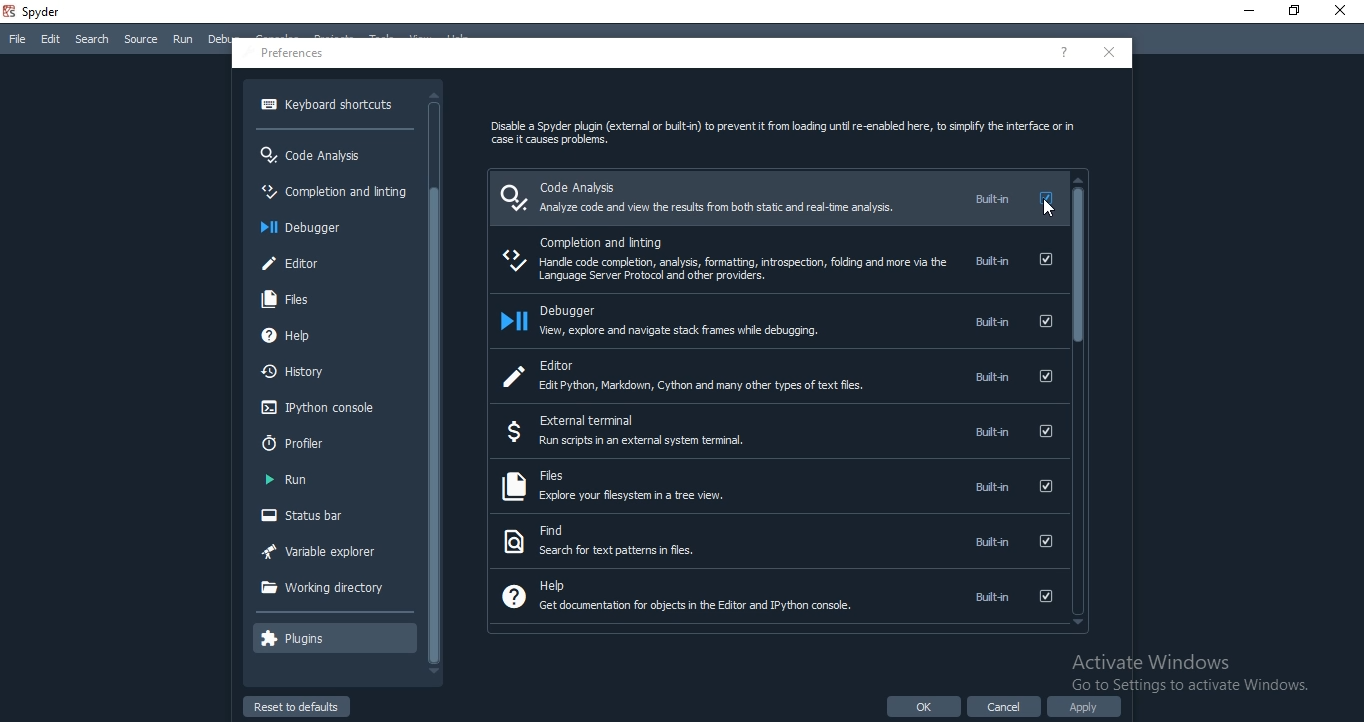 The width and height of the screenshot is (1364, 722). Describe the element at coordinates (183, 41) in the screenshot. I see `Run` at that location.